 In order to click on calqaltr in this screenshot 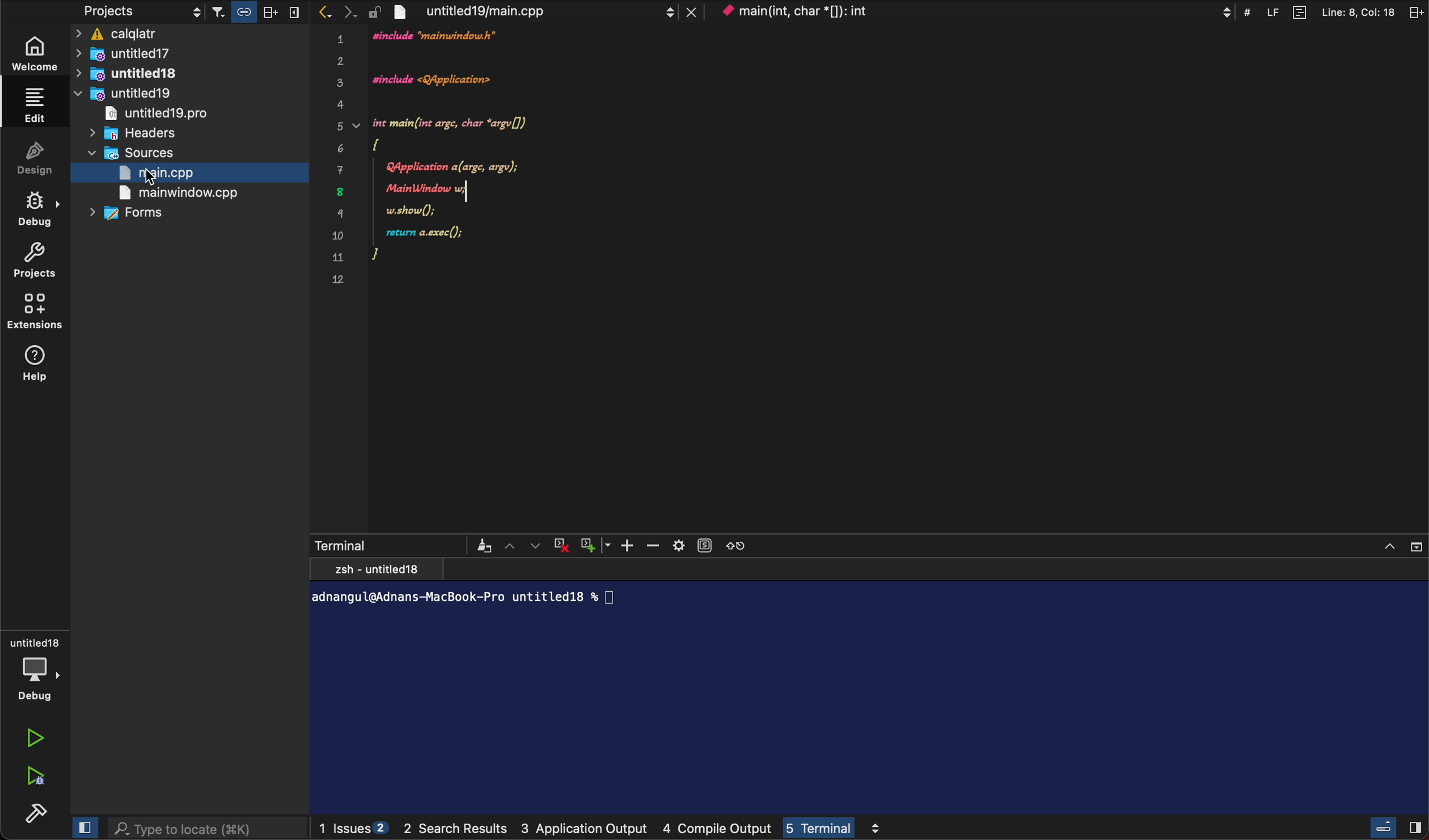, I will do `click(192, 35)`.